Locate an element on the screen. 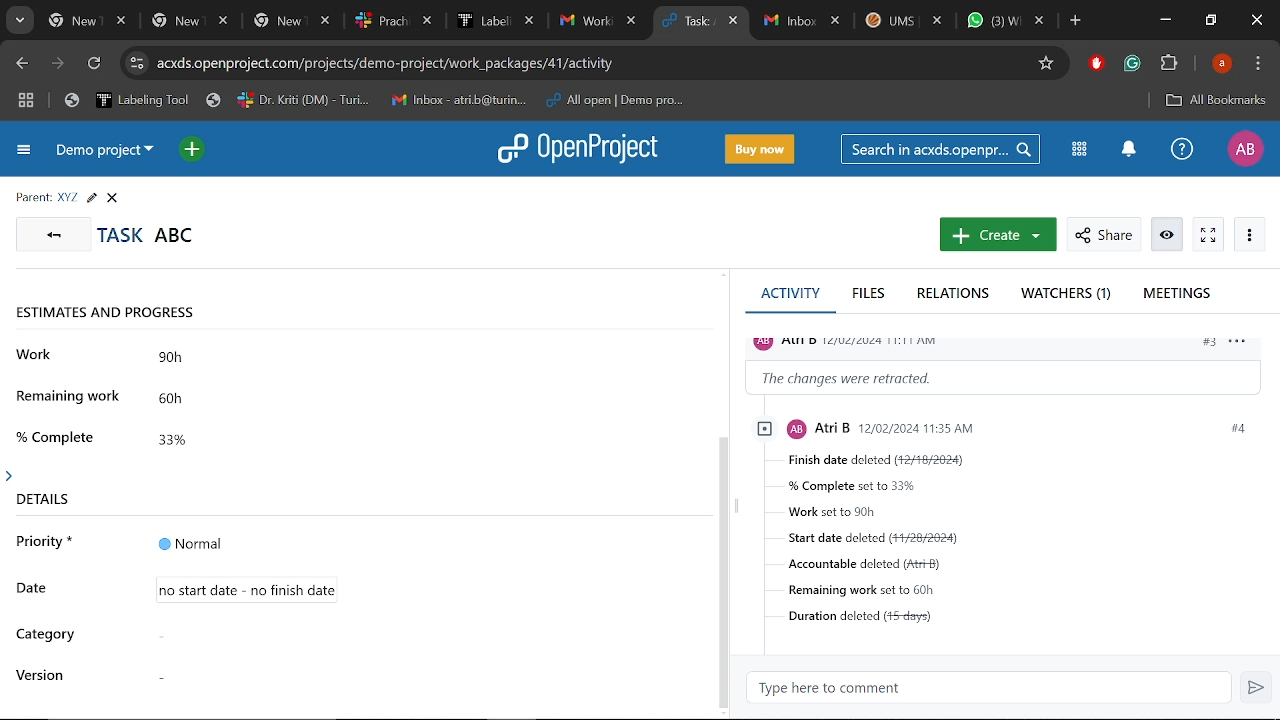  New work package is located at coordinates (996, 235).